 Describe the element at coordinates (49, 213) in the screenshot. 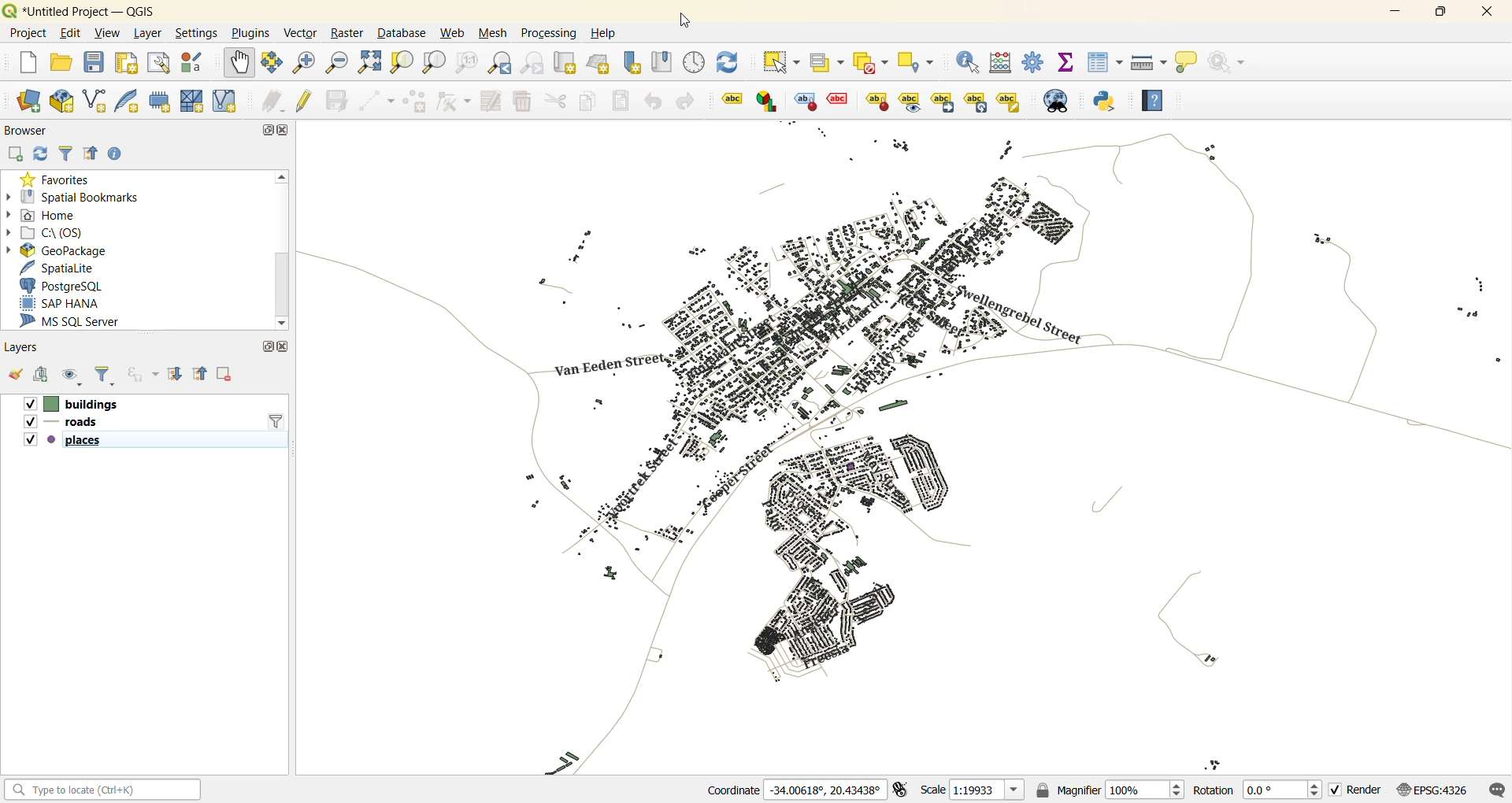

I see `home` at that location.